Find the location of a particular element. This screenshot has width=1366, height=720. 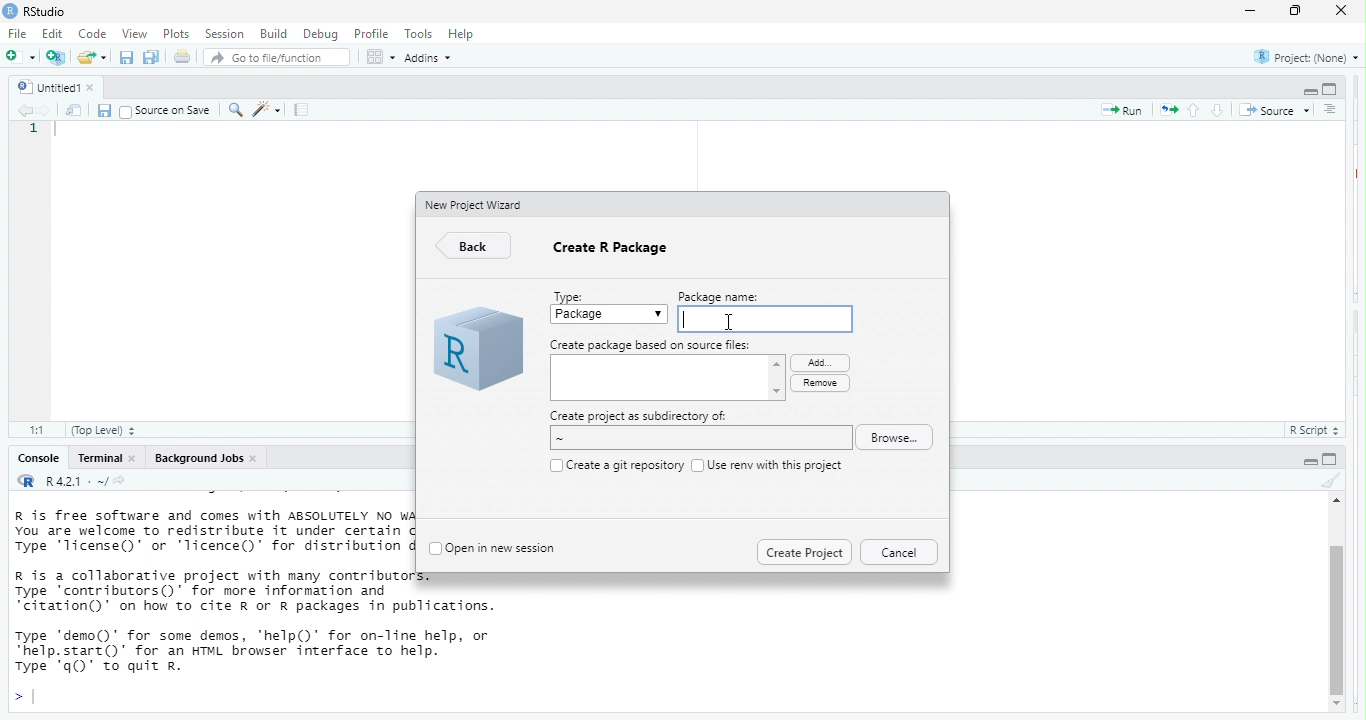

Plots is located at coordinates (176, 33).